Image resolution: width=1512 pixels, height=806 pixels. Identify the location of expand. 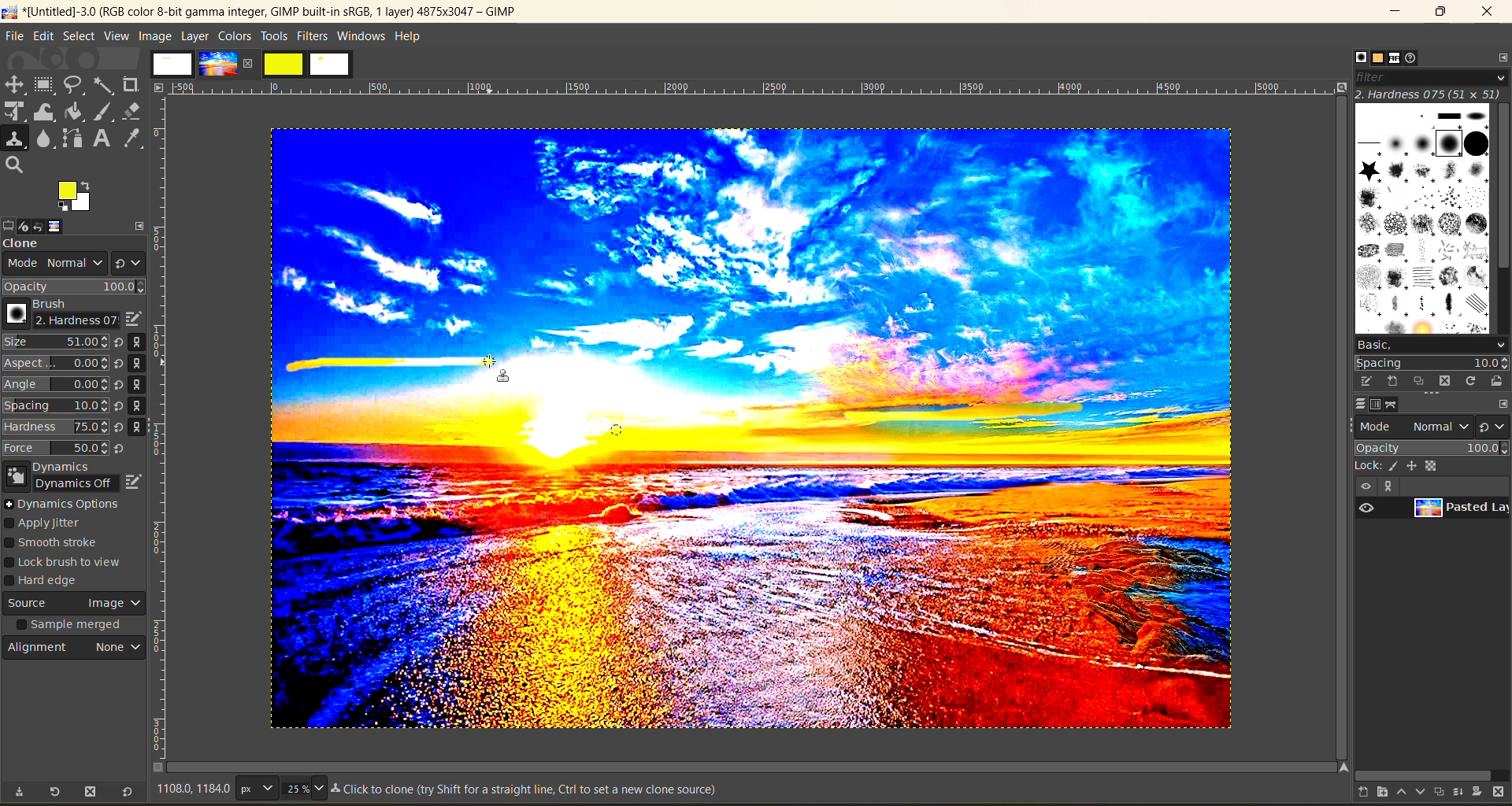
(140, 224).